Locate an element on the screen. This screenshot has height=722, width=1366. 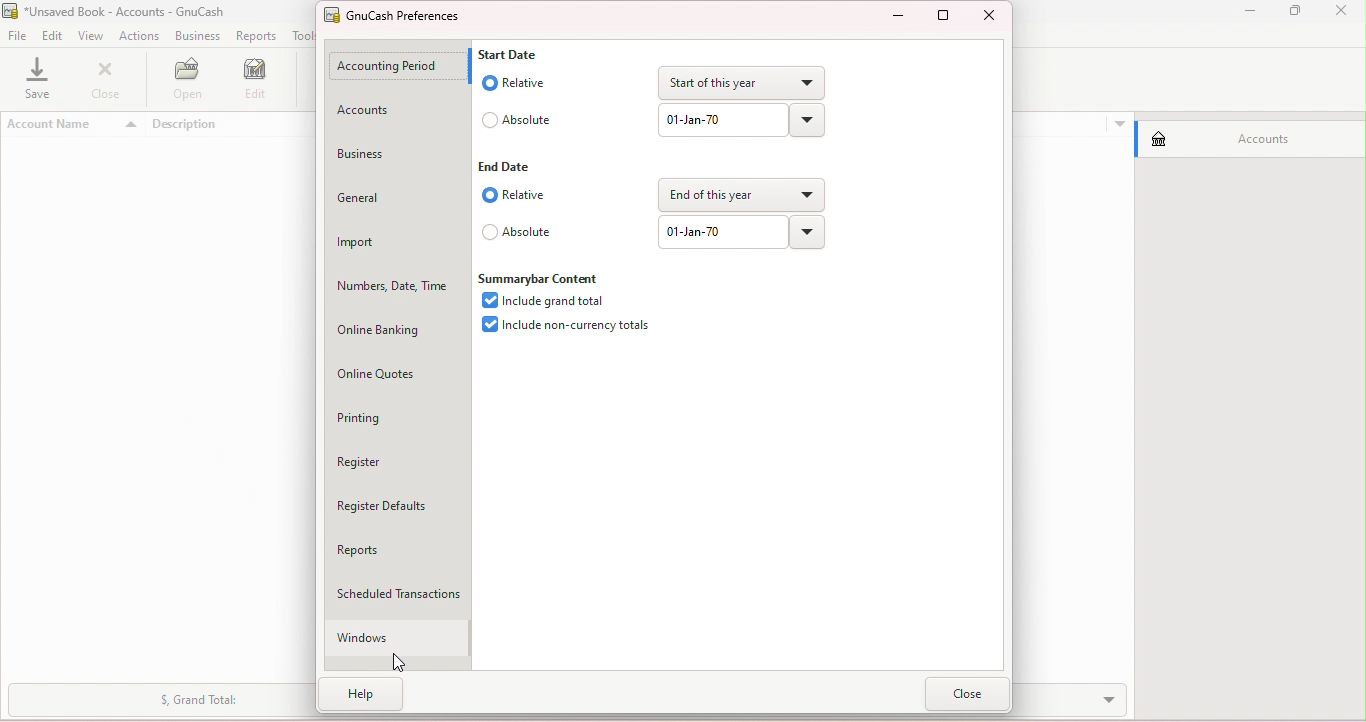
Close is located at coordinates (110, 83).